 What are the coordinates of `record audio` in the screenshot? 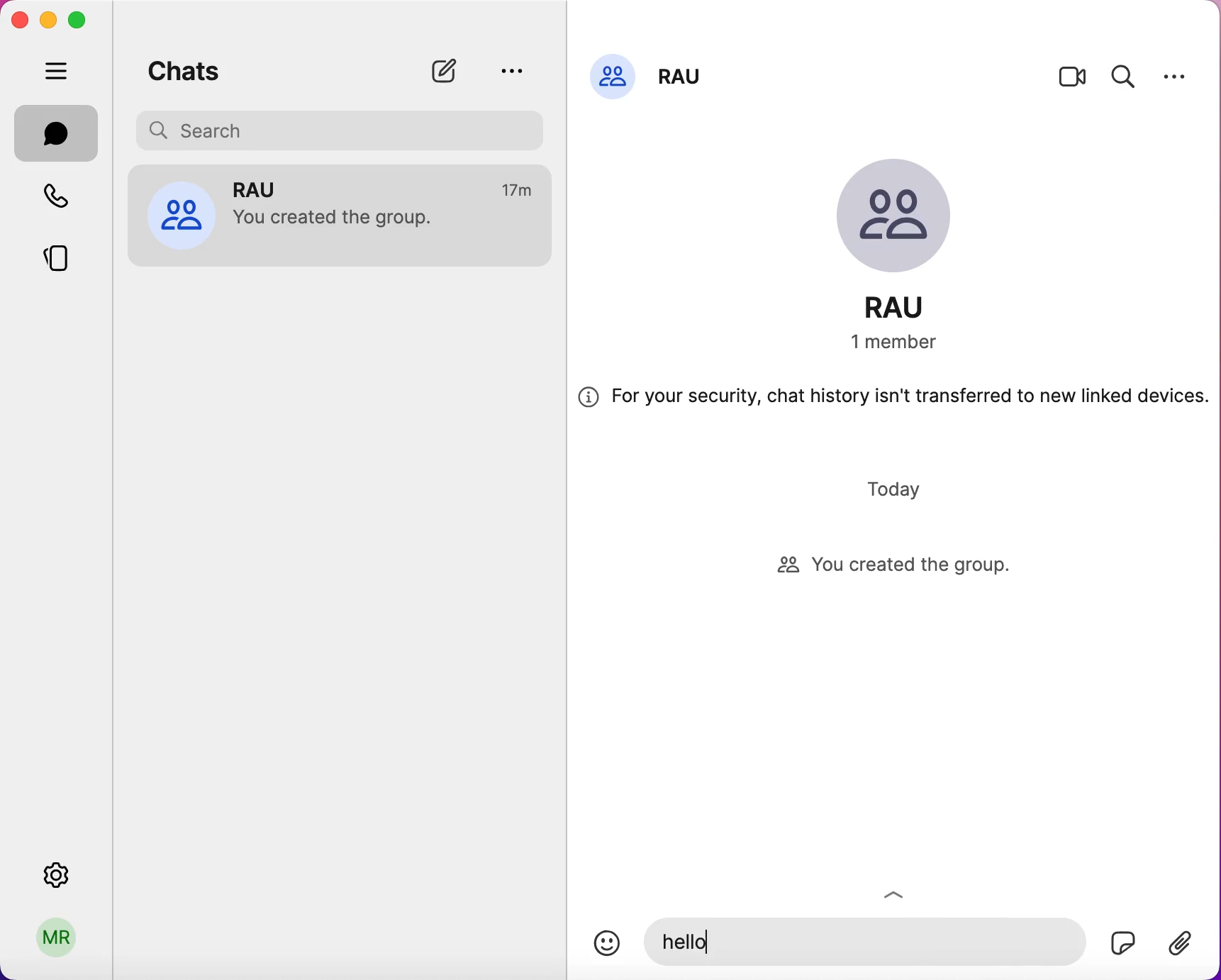 It's located at (1122, 942).